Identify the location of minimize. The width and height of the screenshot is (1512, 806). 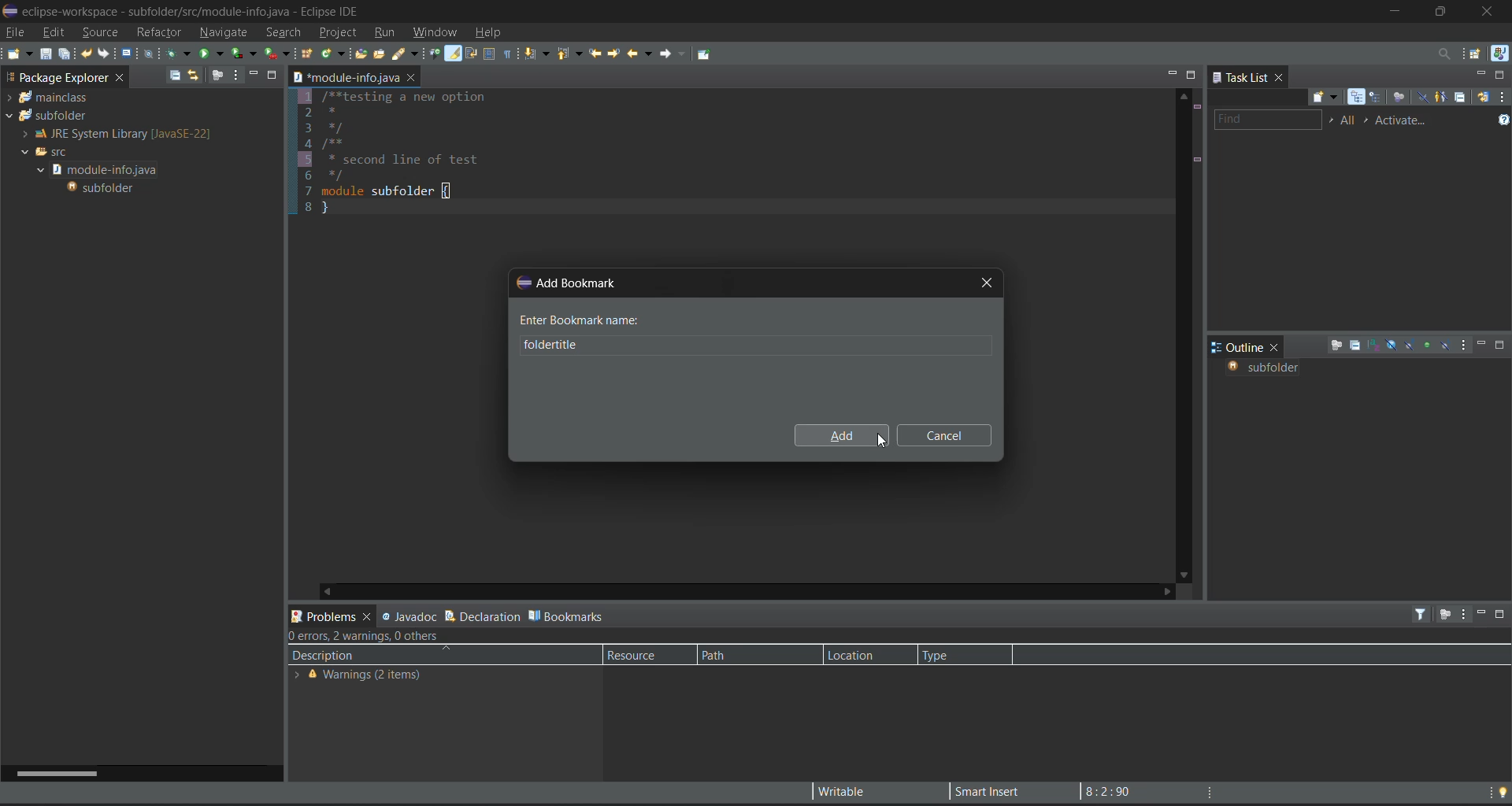
(1482, 344).